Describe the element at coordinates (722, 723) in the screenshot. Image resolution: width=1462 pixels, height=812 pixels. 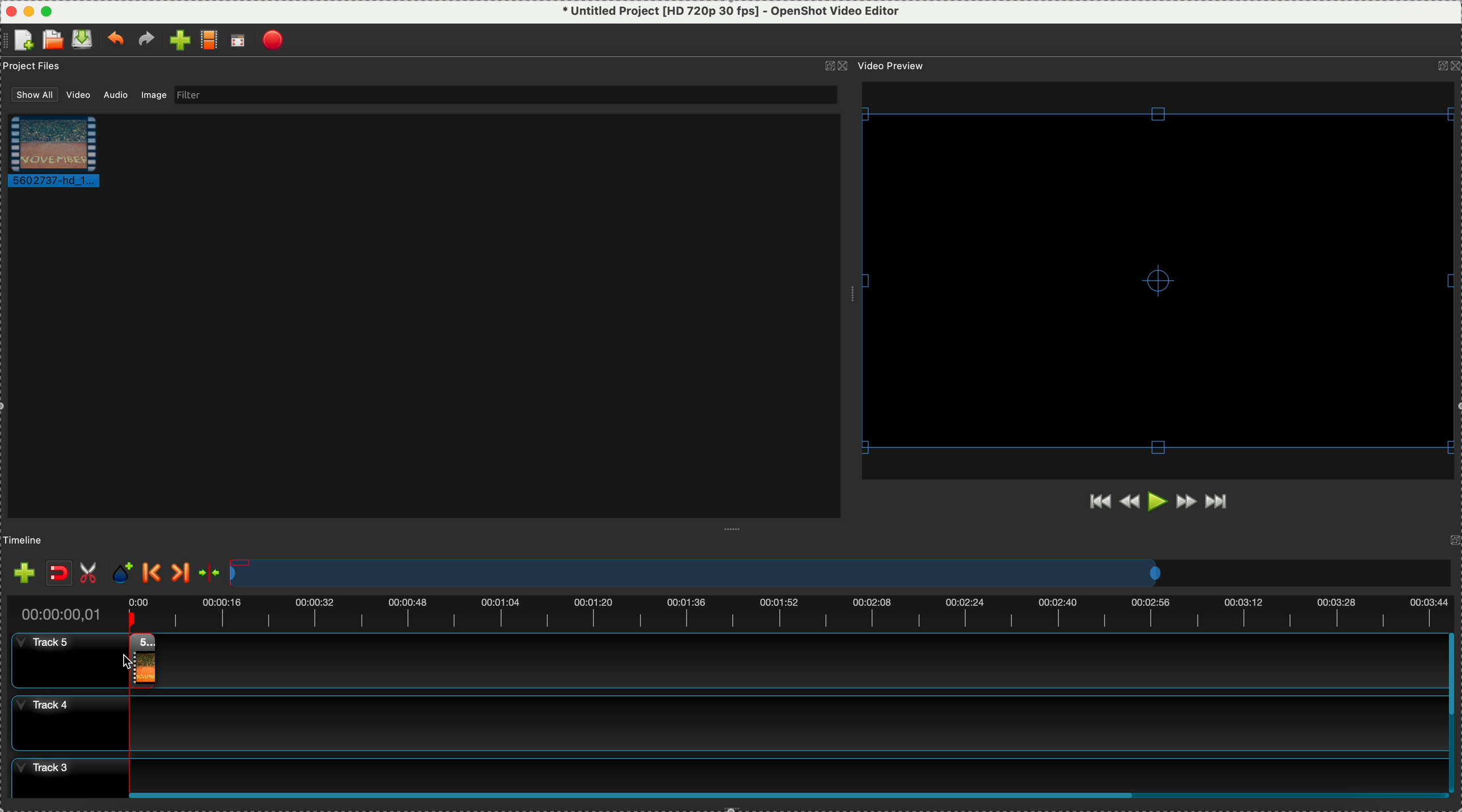
I see `track 4` at that location.